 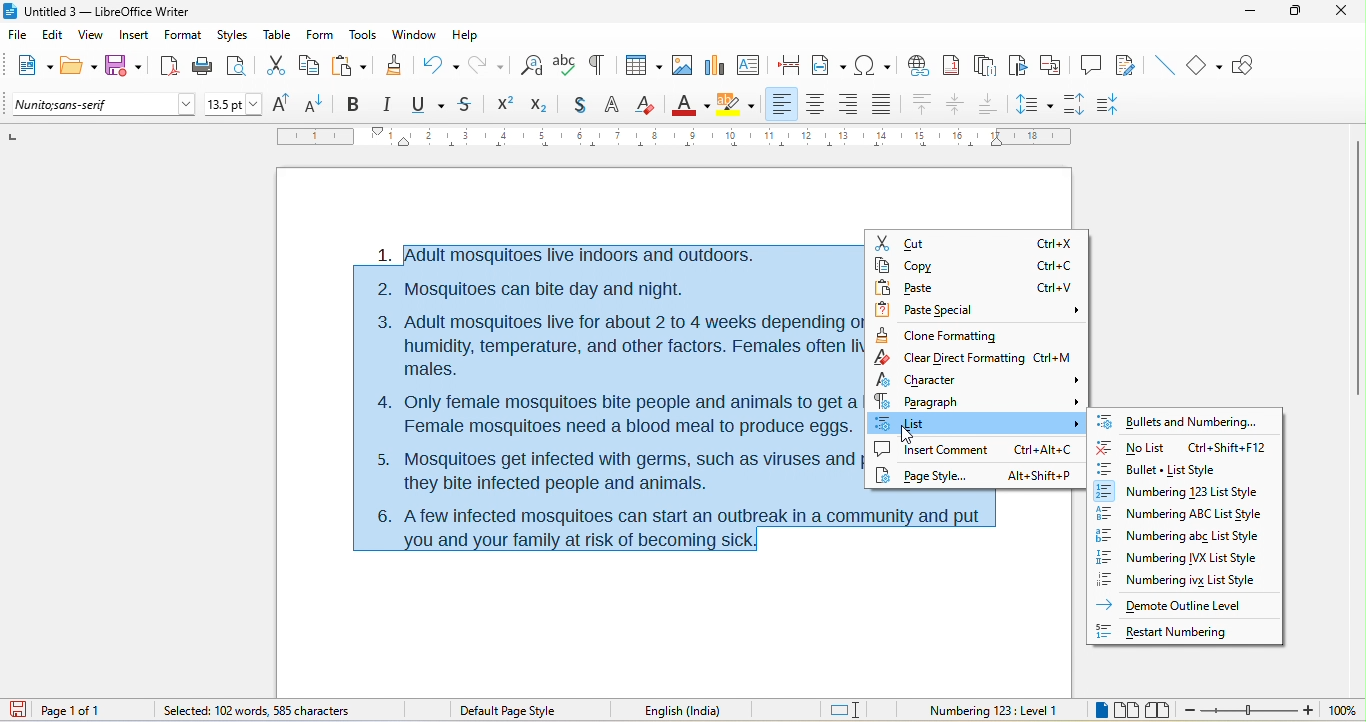 I want to click on numbering abc list style, so click(x=1181, y=515).